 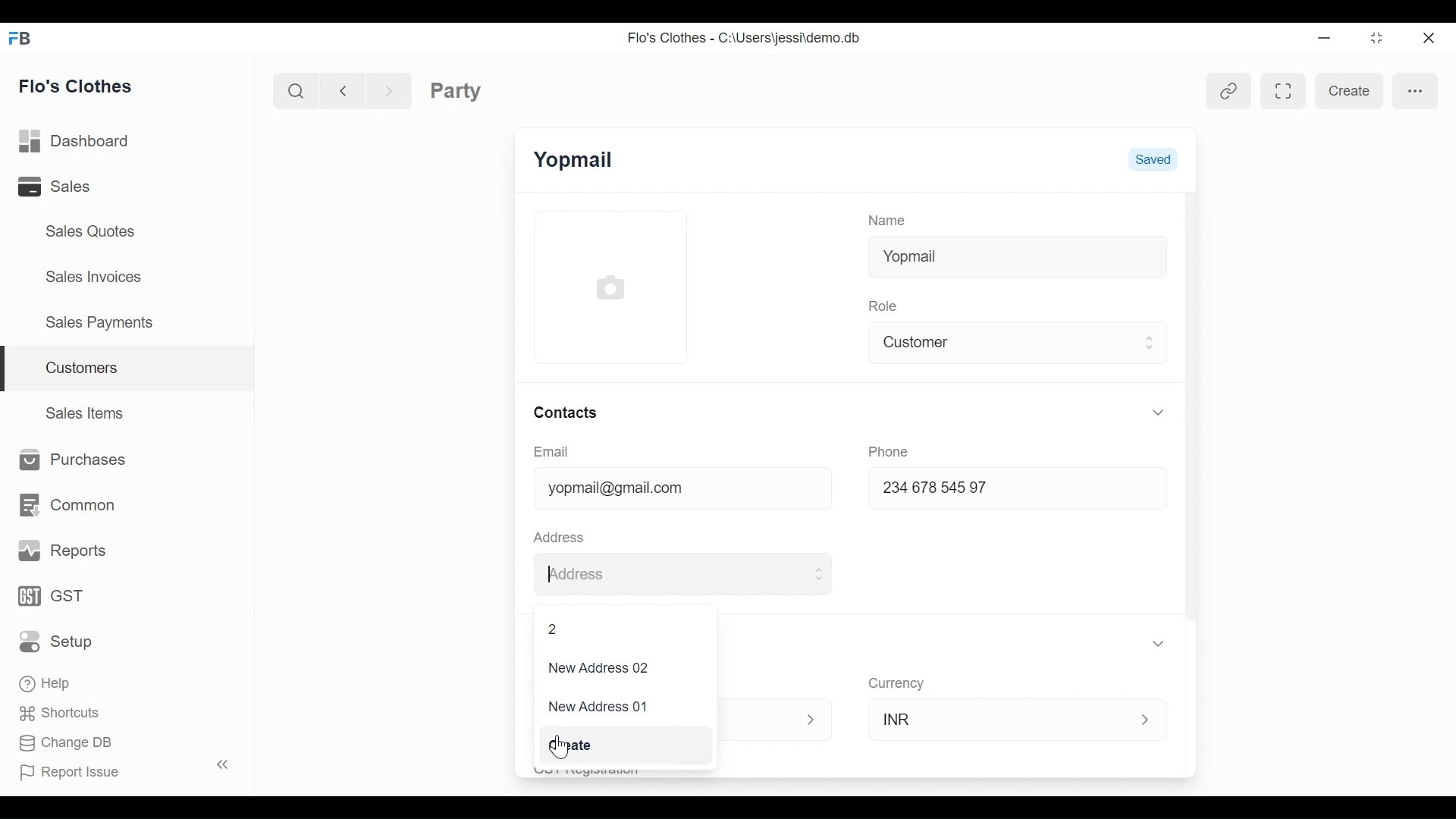 I want to click on Reports, so click(x=64, y=551).